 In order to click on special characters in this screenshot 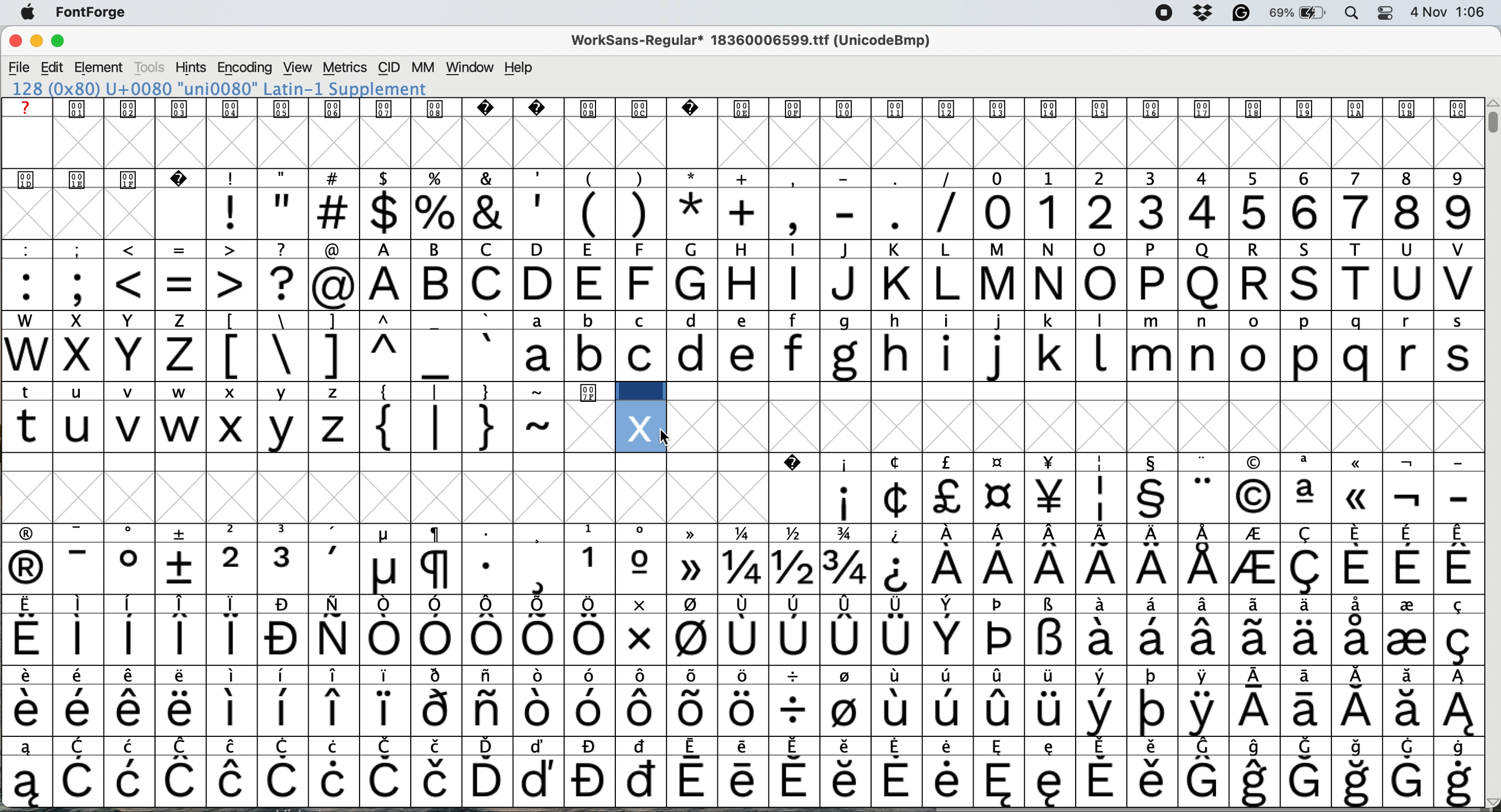, I will do `click(383, 641)`.